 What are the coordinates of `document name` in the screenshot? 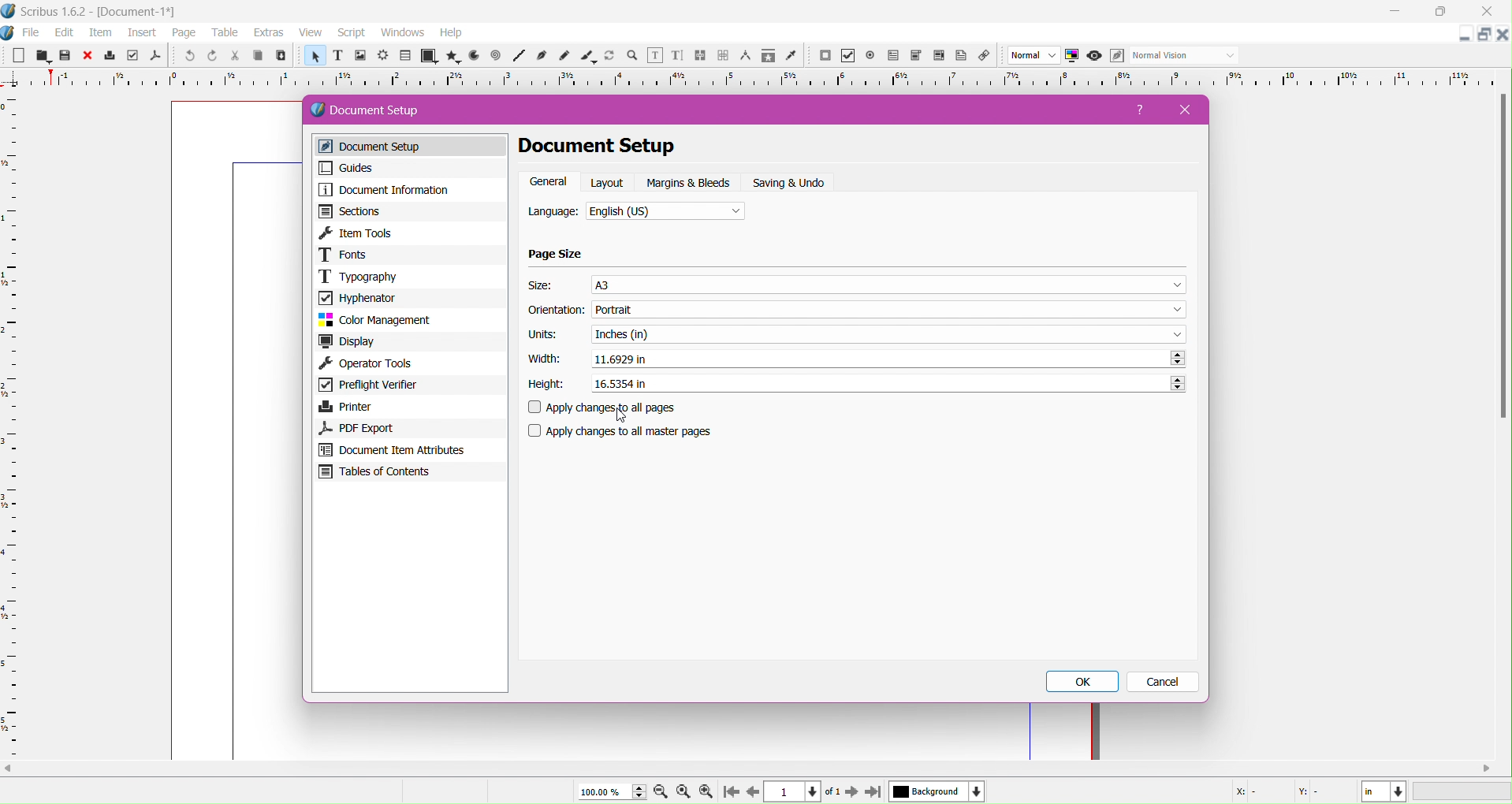 It's located at (140, 13).